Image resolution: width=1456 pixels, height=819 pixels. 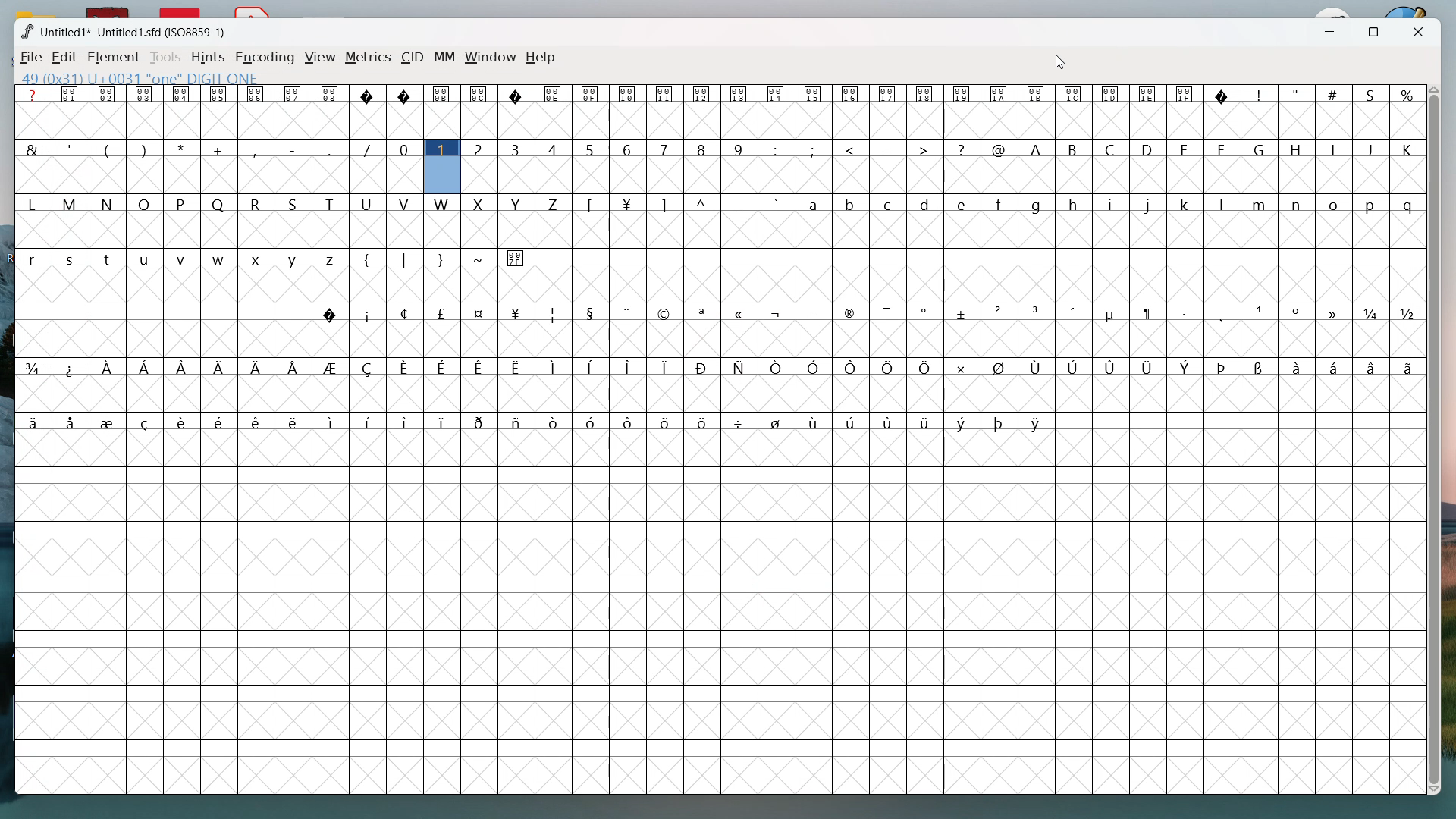 I want to click on {, so click(x=370, y=258).